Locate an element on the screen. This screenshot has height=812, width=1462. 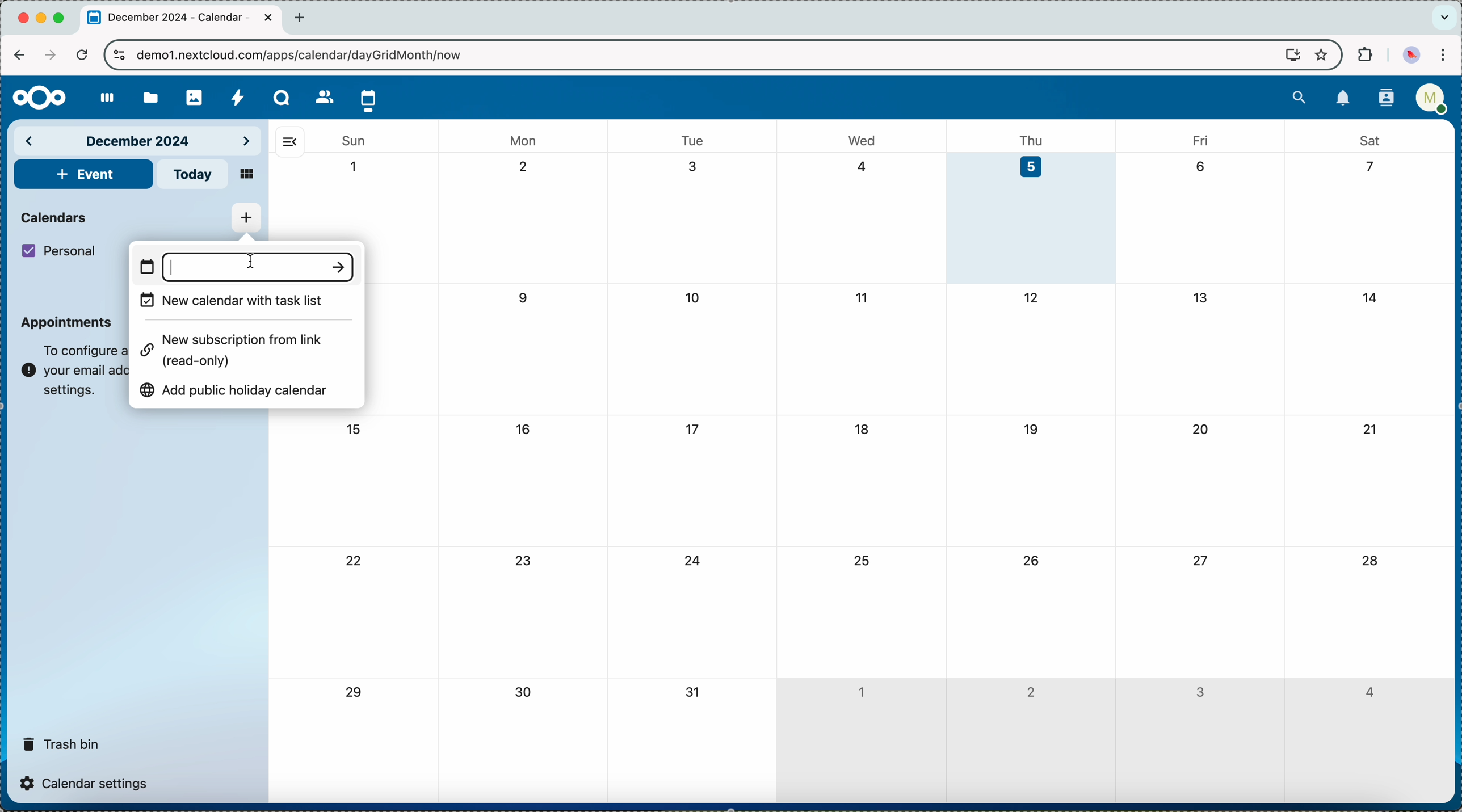
day 5 selected is located at coordinates (1034, 218).